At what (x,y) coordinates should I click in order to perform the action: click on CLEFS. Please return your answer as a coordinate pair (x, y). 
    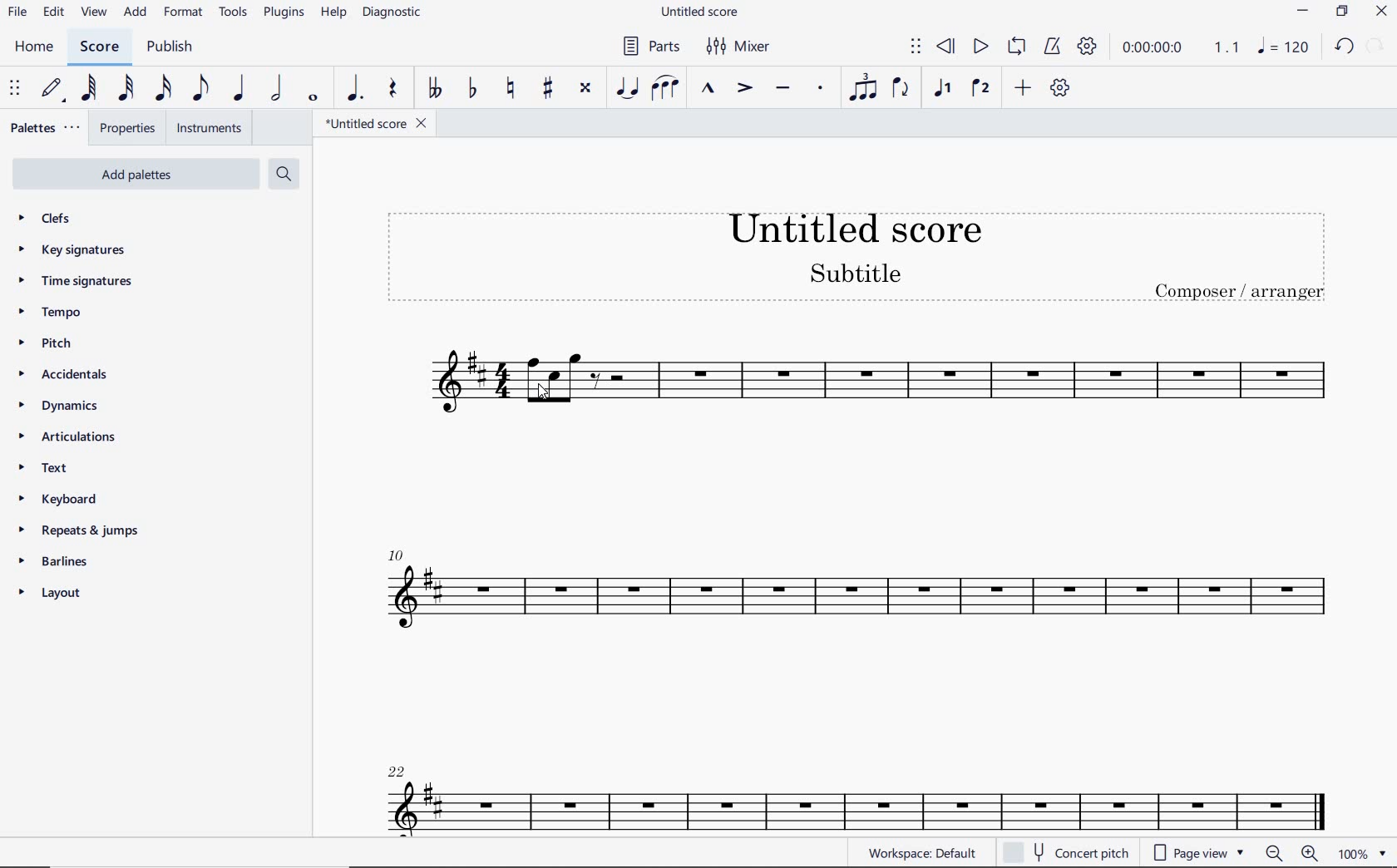
    Looking at the image, I should click on (58, 220).